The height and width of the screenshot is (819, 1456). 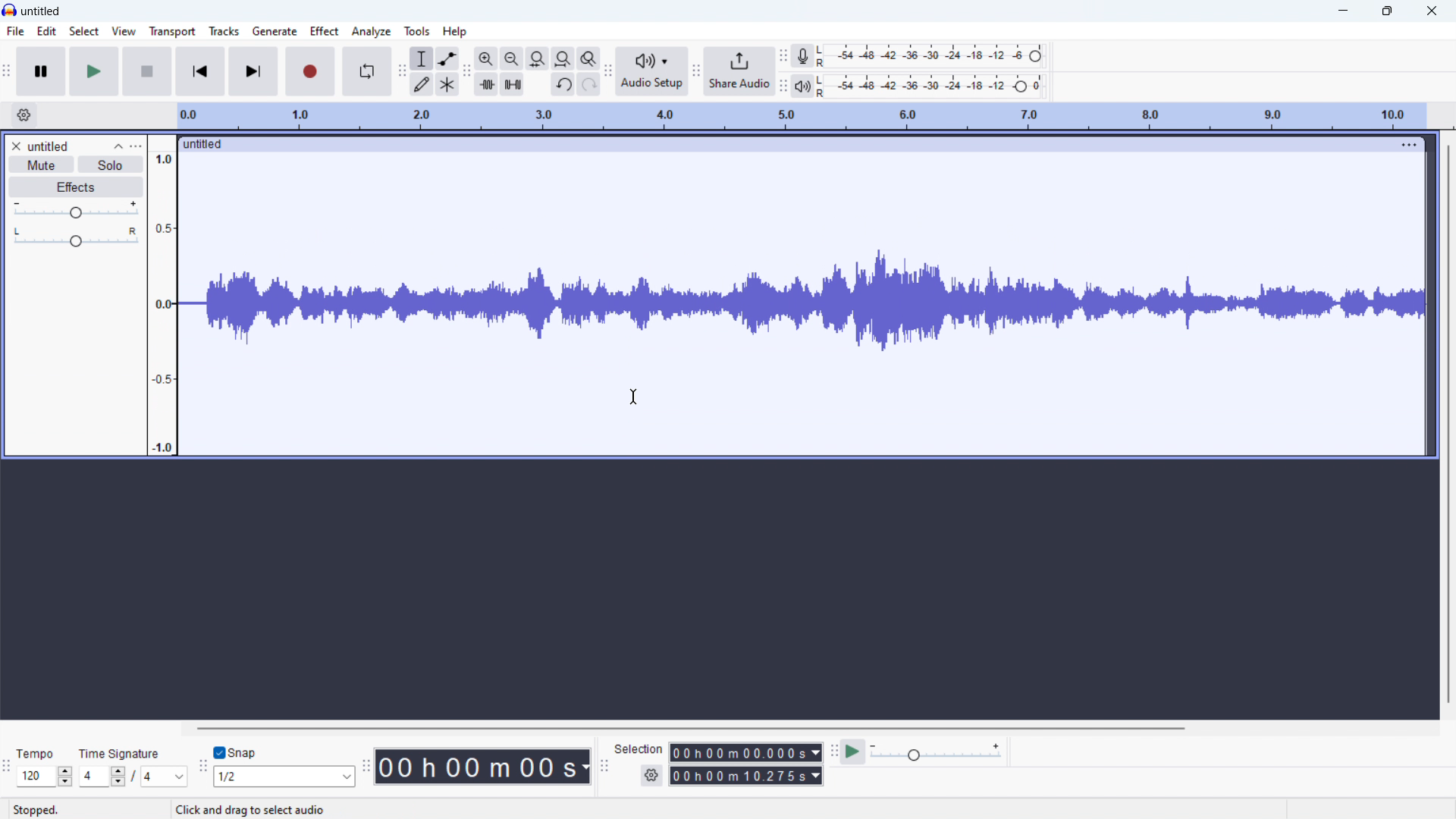 I want to click on file, so click(x=16, y=31).